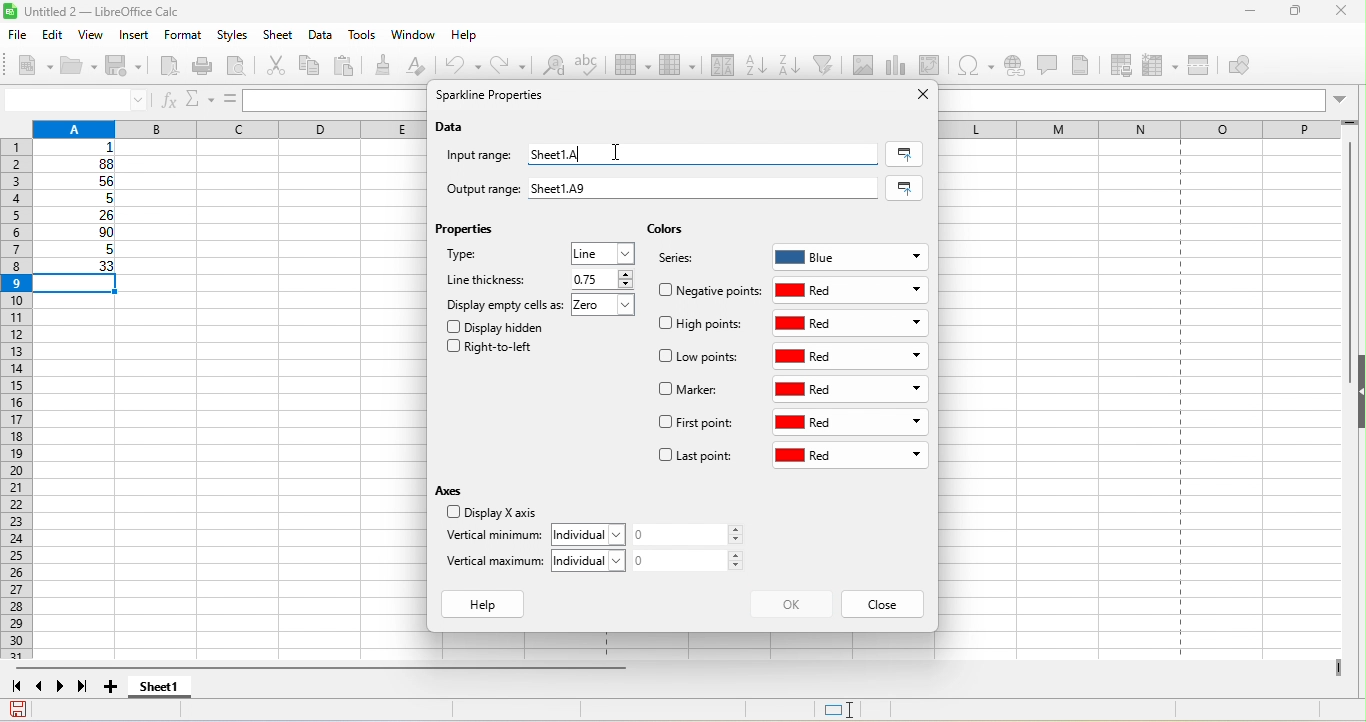 The image size is (1366, 722). What do you see at coordinates (311, 65) in the screenshot?
I see `copy` at bounding box center [311, 65].